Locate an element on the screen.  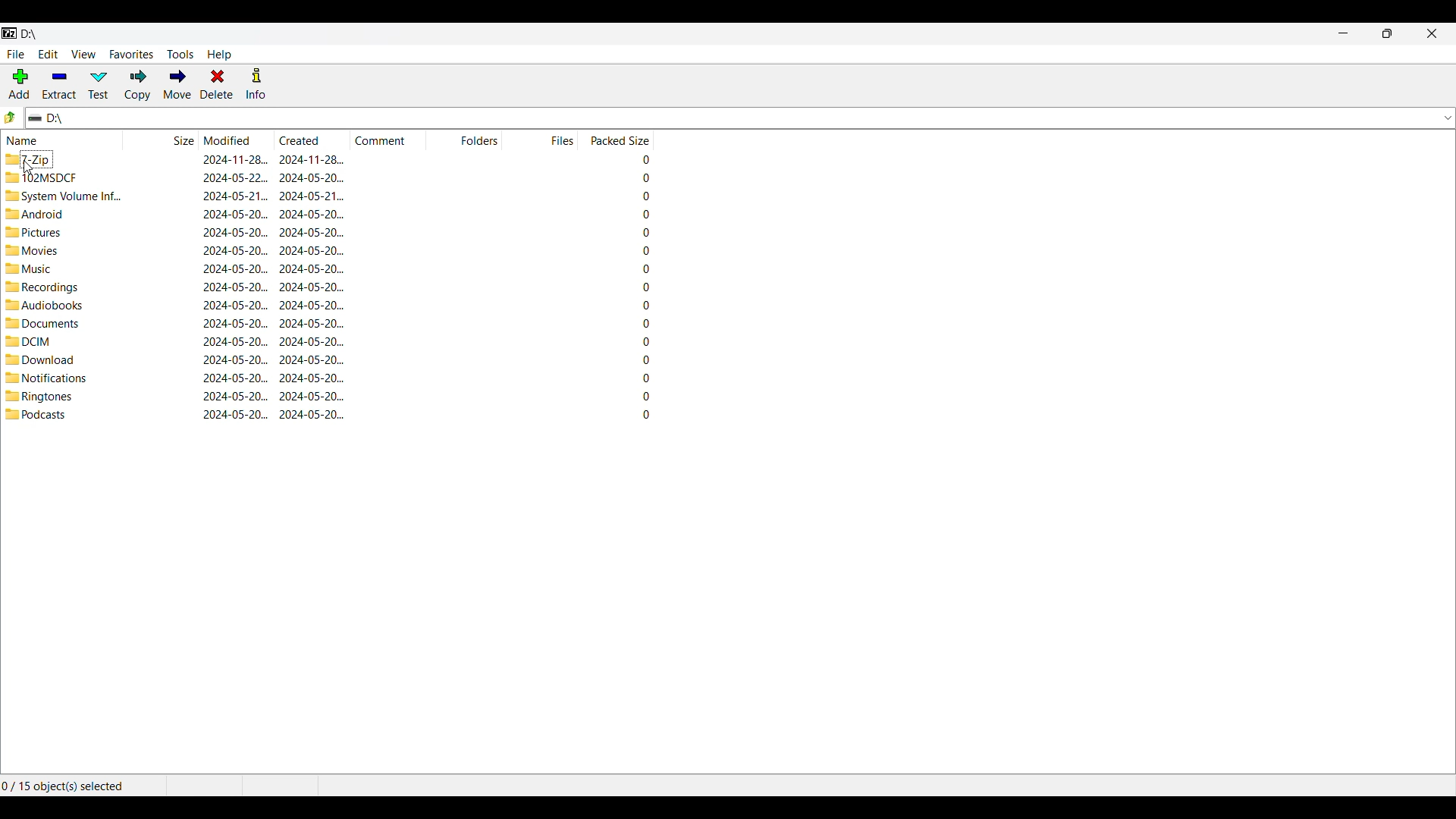
dropdown is located at coordinates (1443, 118).